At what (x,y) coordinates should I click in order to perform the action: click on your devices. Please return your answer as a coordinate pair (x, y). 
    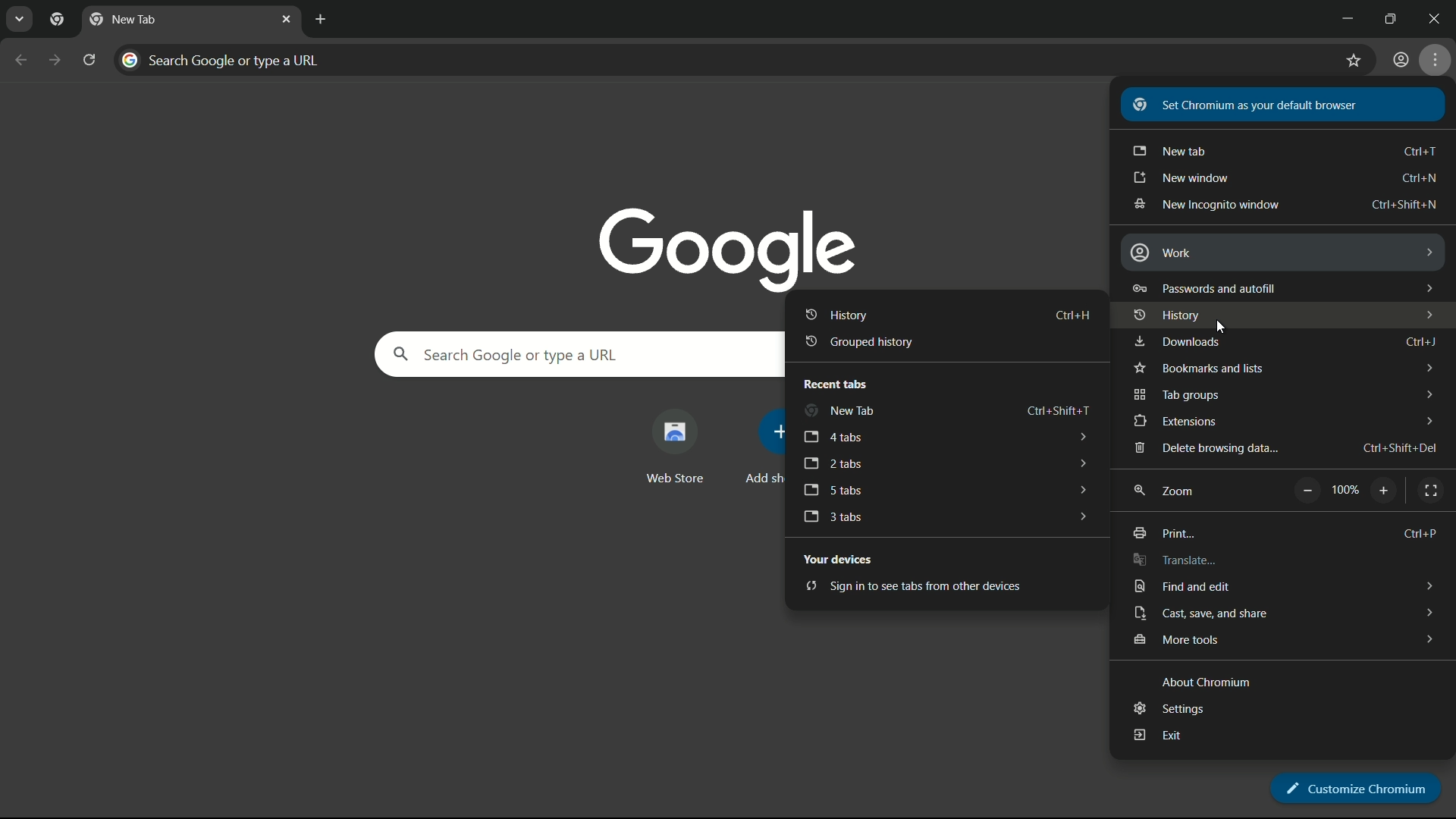
    Looking at the image, I should click on (842, 559).